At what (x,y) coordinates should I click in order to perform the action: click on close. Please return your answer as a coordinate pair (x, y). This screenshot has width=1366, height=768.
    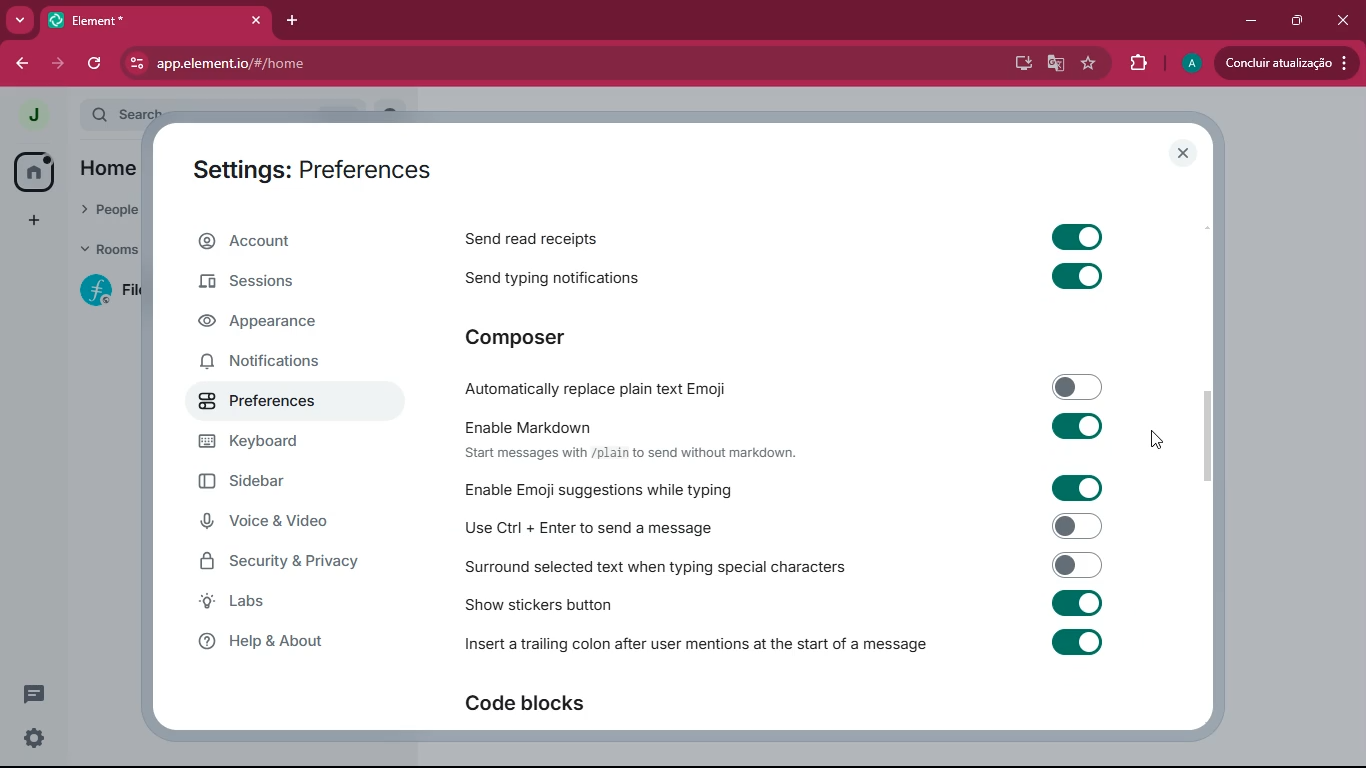
    Looking at the image, I should click on (1183, 153).